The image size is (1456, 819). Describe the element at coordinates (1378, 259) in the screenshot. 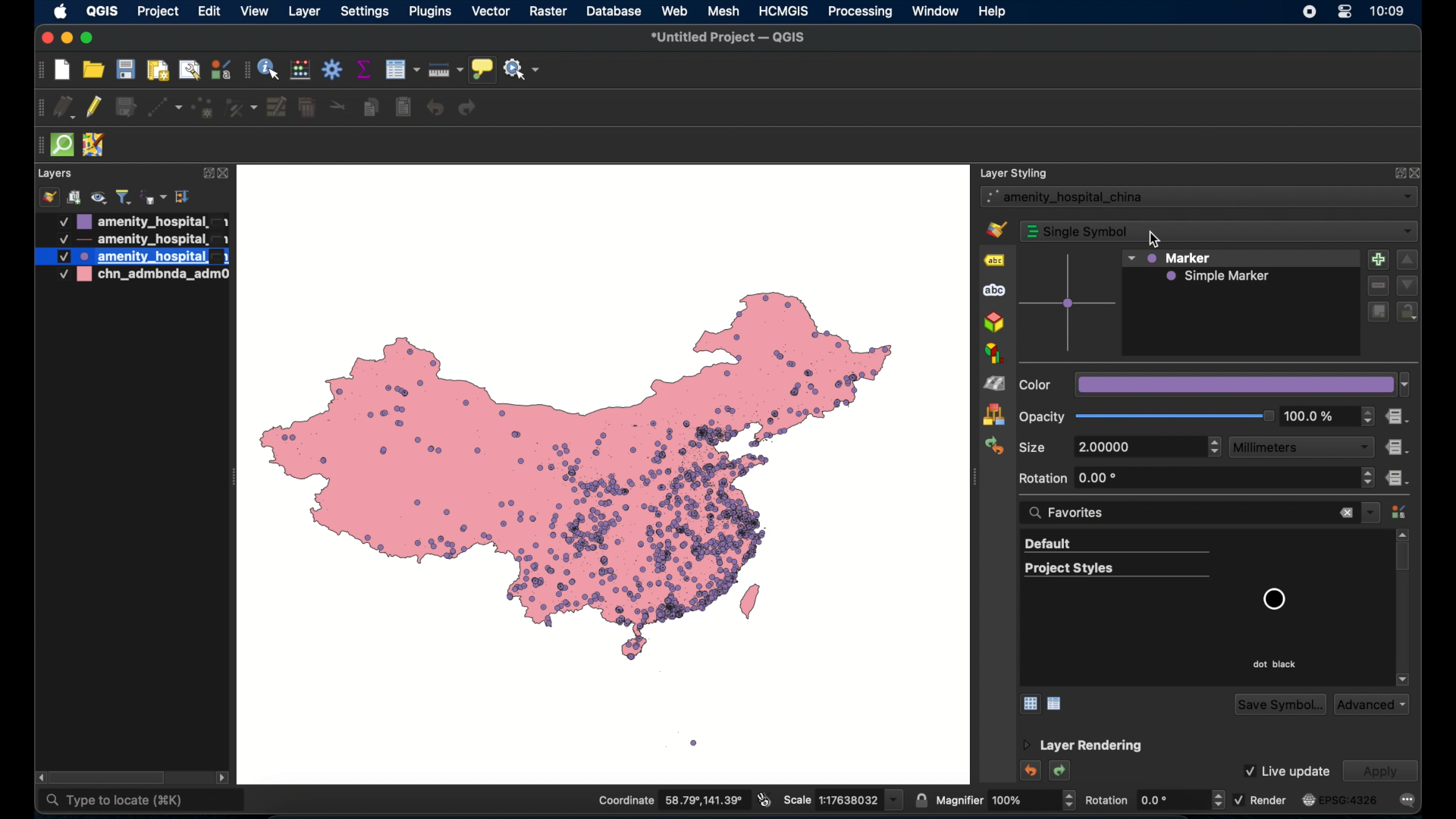

I see `add` at that location.